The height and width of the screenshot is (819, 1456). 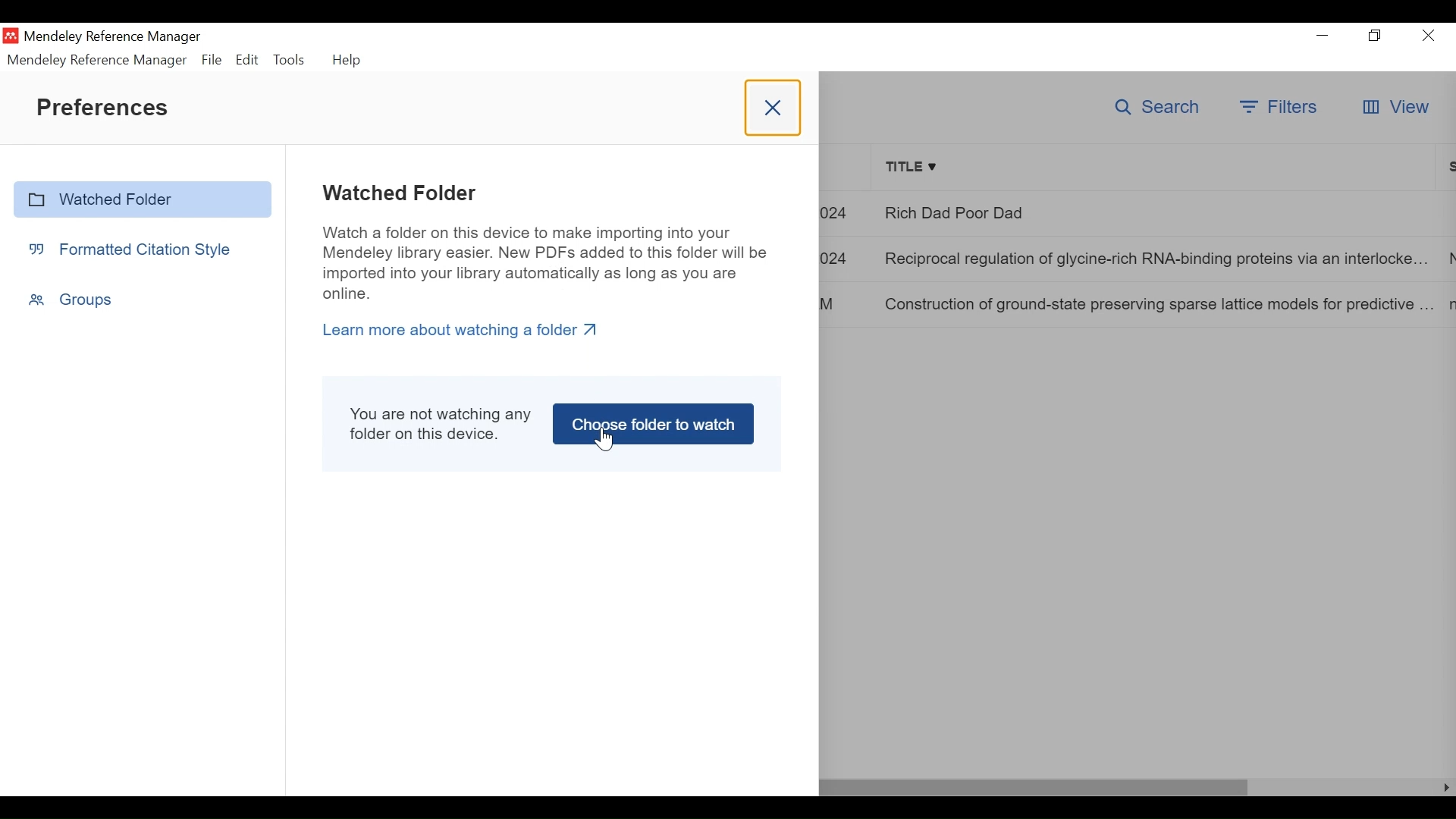 What do you see at coordinates (772, 107) in the screenshot?
I see `Close` at bounding box center [772, 107].